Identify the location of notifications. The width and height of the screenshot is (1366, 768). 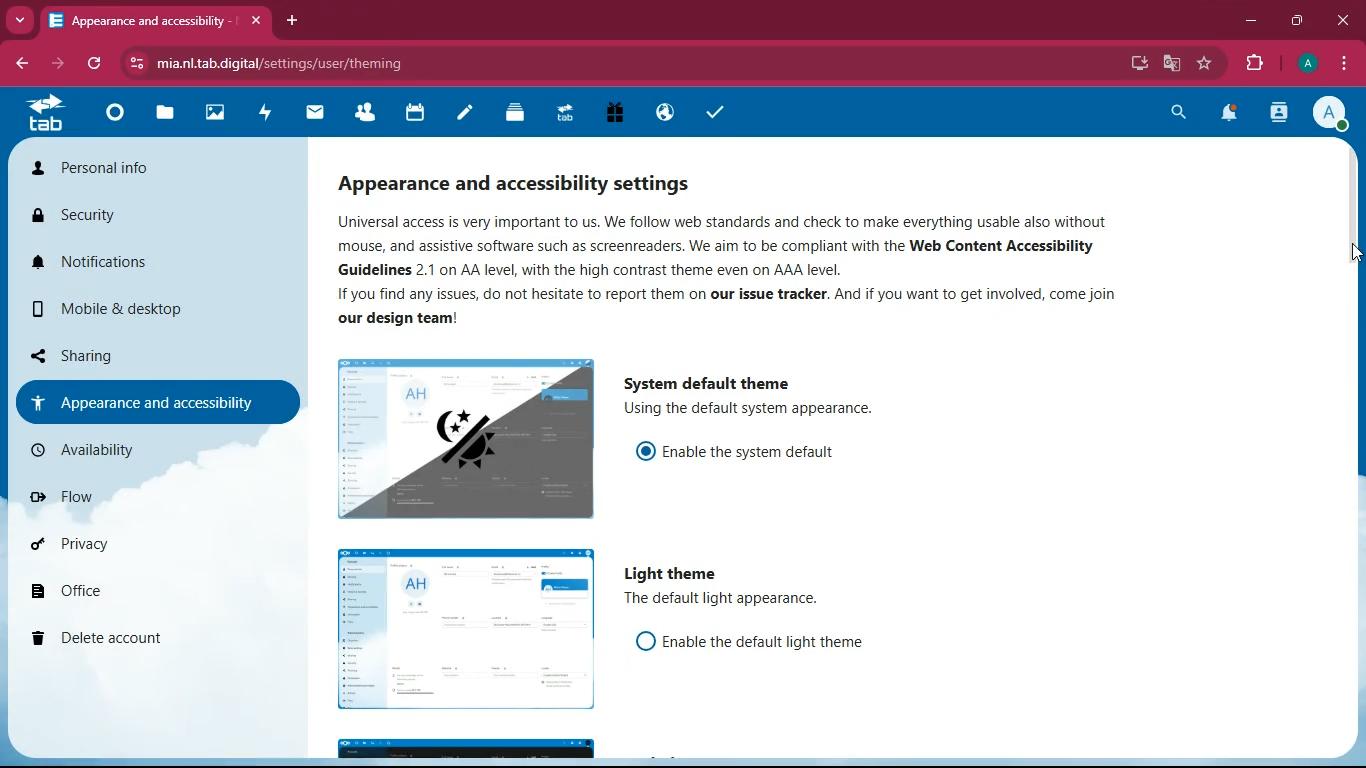
(1232, 114).